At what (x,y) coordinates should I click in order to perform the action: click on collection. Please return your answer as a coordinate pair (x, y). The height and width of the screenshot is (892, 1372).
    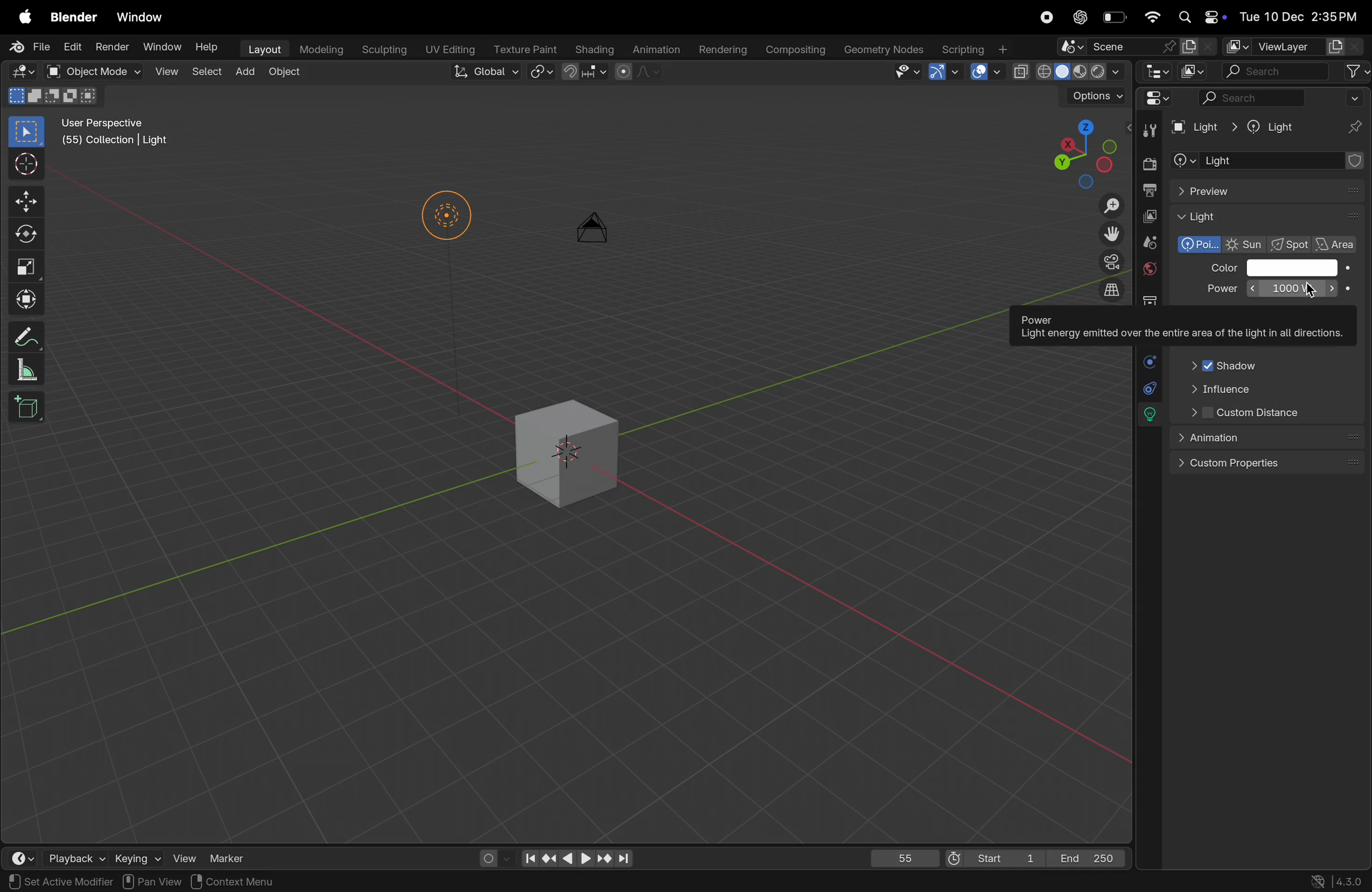
    Looking at the image, I should click on (1154, 302).